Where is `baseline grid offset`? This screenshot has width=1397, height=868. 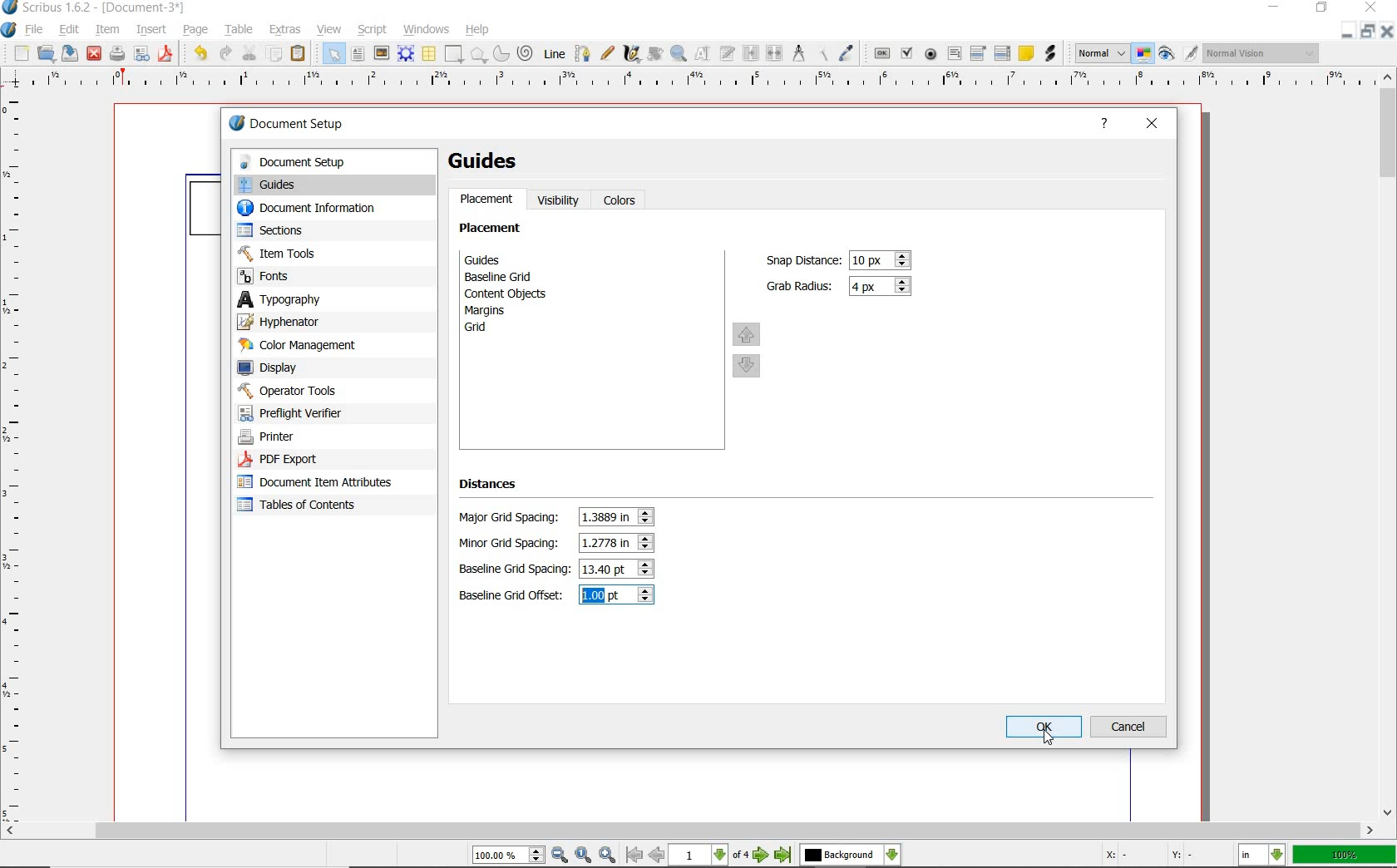
baseline grid offset is located at coordinates (605, 594).